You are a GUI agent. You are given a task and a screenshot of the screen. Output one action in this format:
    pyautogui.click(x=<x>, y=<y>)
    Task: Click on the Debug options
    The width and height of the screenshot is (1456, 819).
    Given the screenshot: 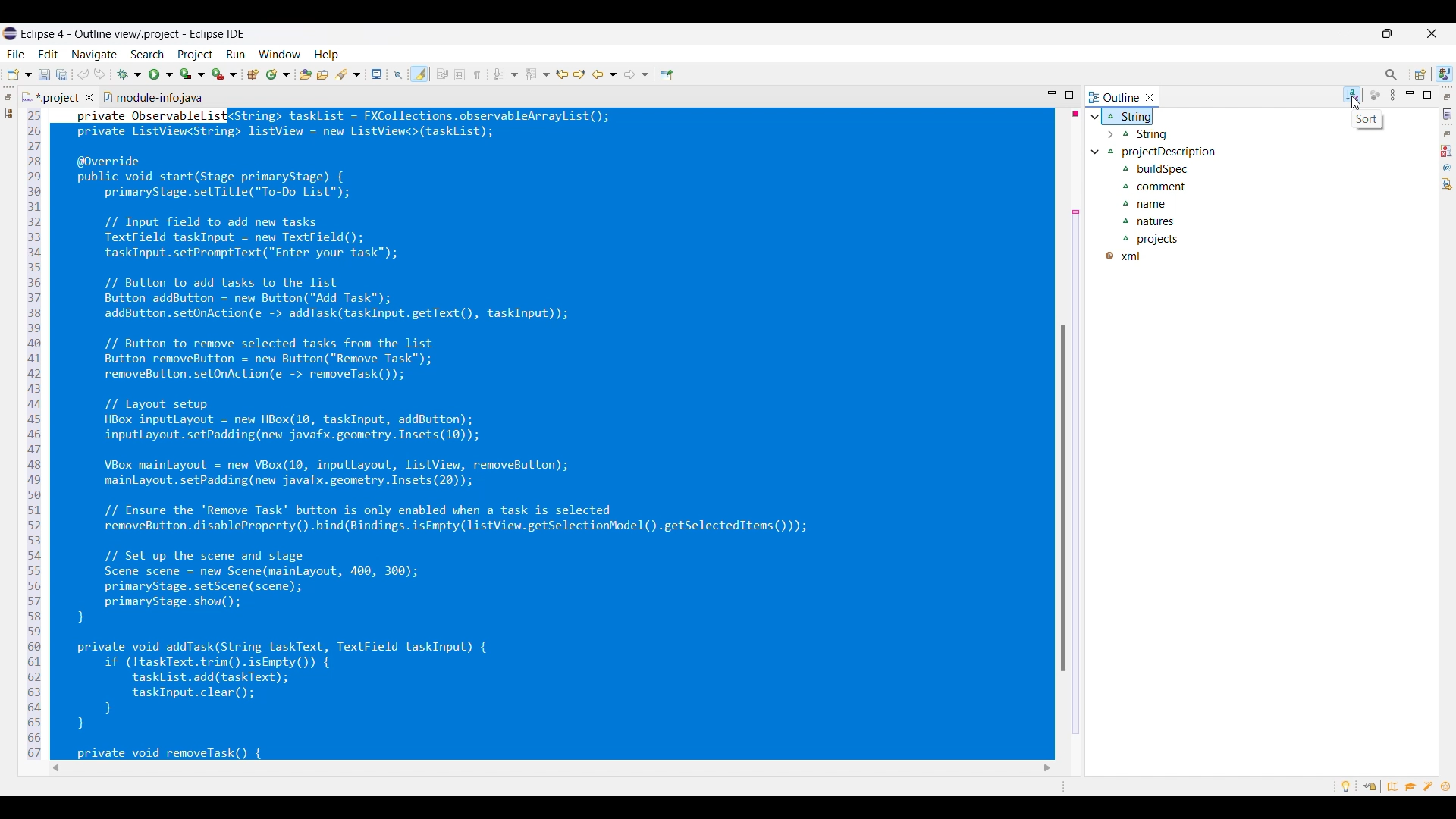 What is the action you would take?
    pyautogui.click(x=129, y=75)
    